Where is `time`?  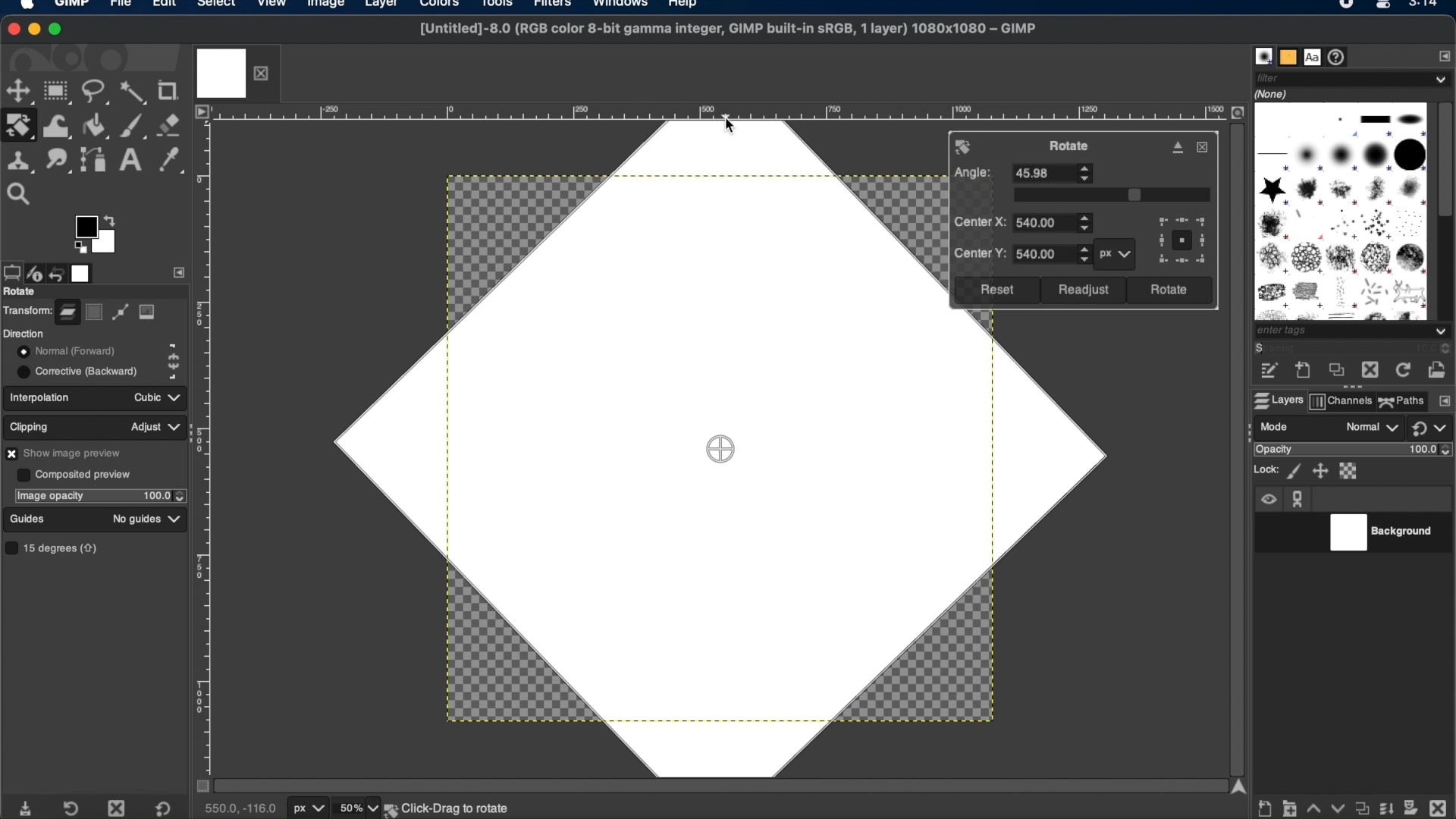 time is located at coordinates (1426, 8).